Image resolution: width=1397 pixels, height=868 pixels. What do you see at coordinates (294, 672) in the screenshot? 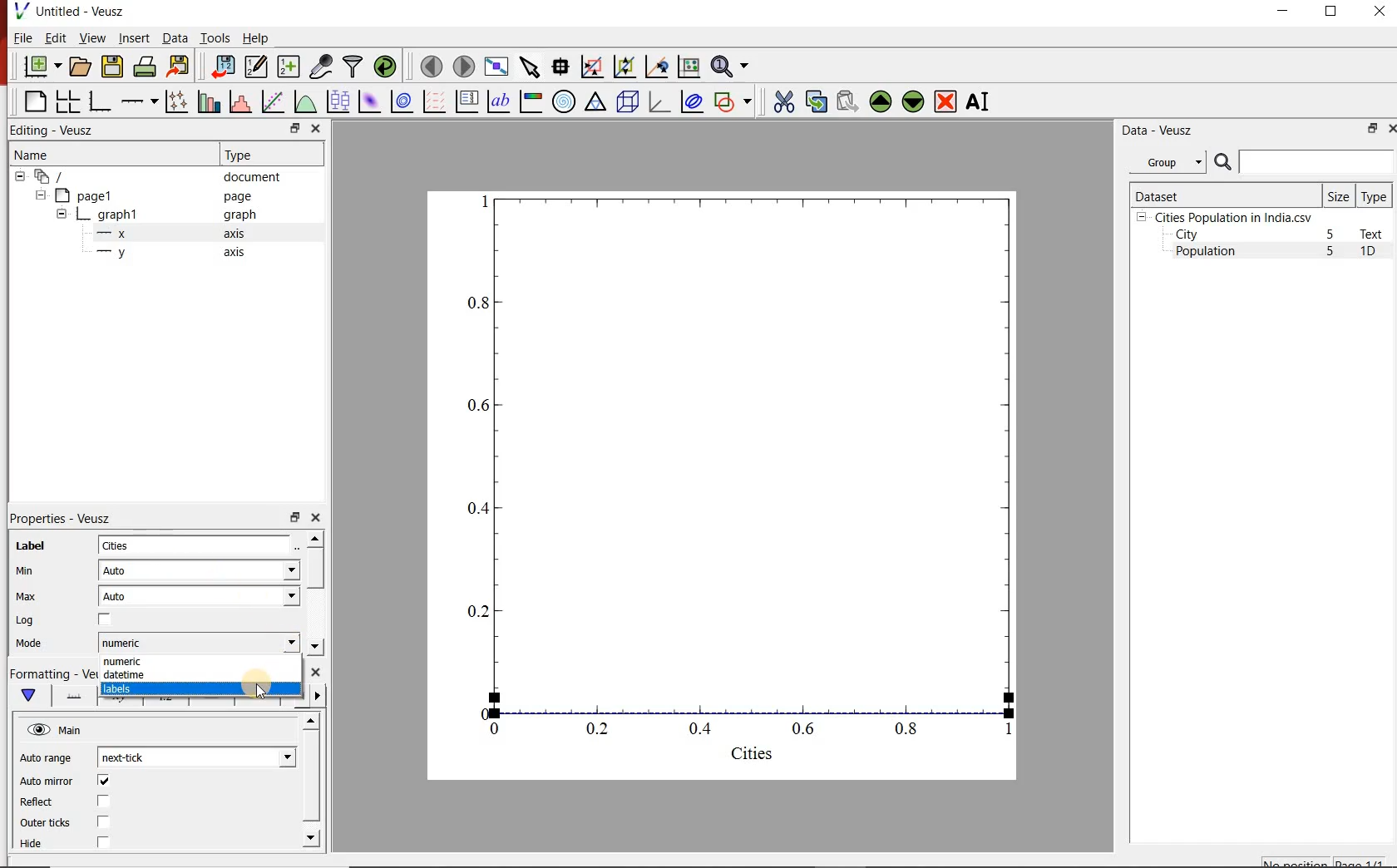
I see `restore` at bounding box center [294, 672].